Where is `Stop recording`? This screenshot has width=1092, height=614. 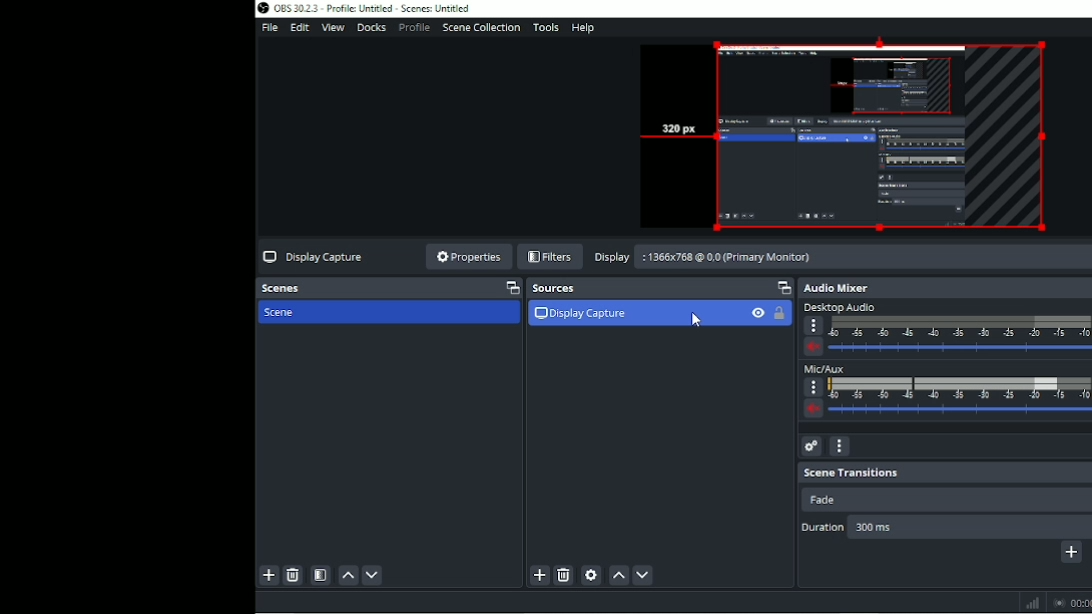
Stop recording is located at coordinates (1070, 602).